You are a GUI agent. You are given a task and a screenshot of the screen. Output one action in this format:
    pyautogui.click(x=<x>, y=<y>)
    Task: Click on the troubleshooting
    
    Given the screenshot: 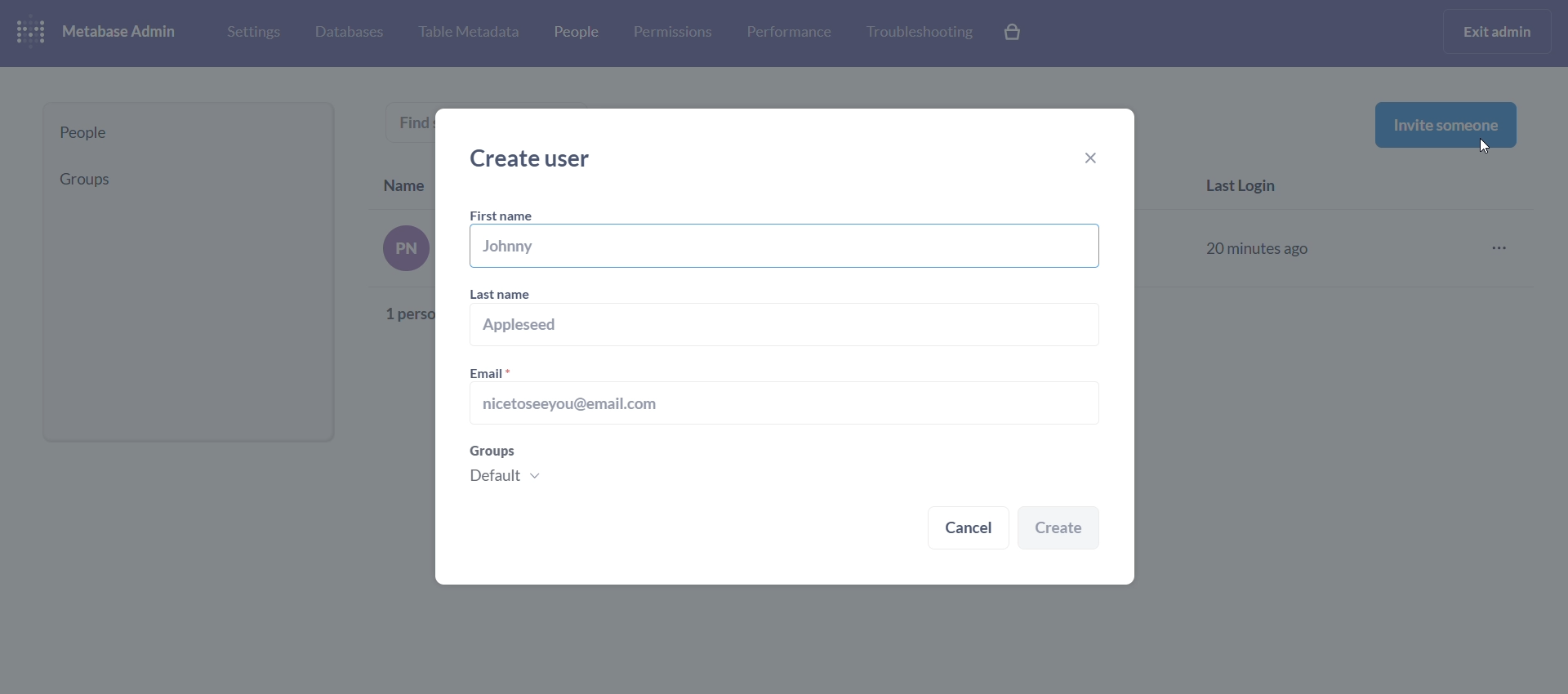 What is the action you would take?
    pyautogui.click(x=918, y=33)
    